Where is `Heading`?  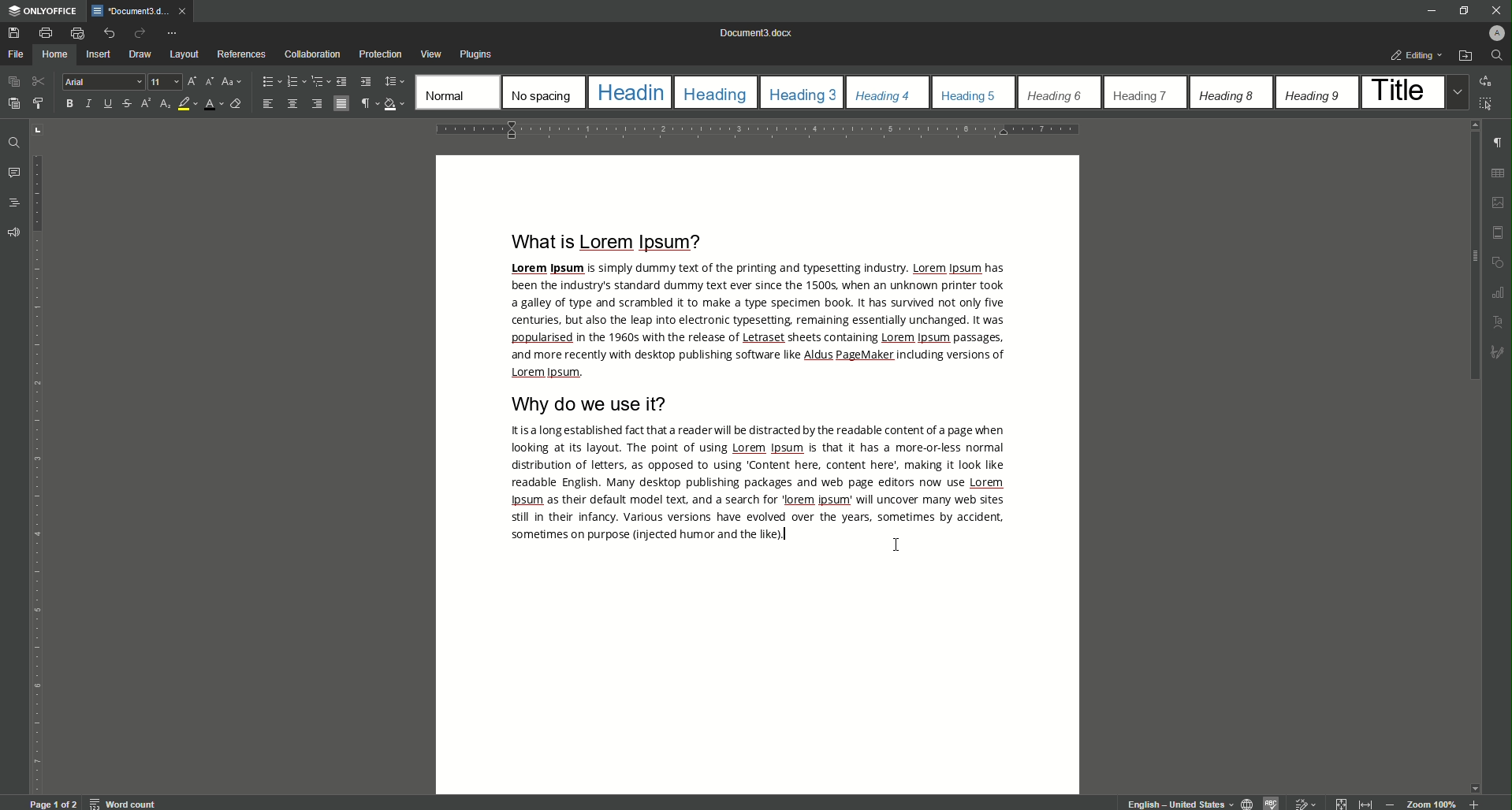
Heading is located at coordinates (714, 93).